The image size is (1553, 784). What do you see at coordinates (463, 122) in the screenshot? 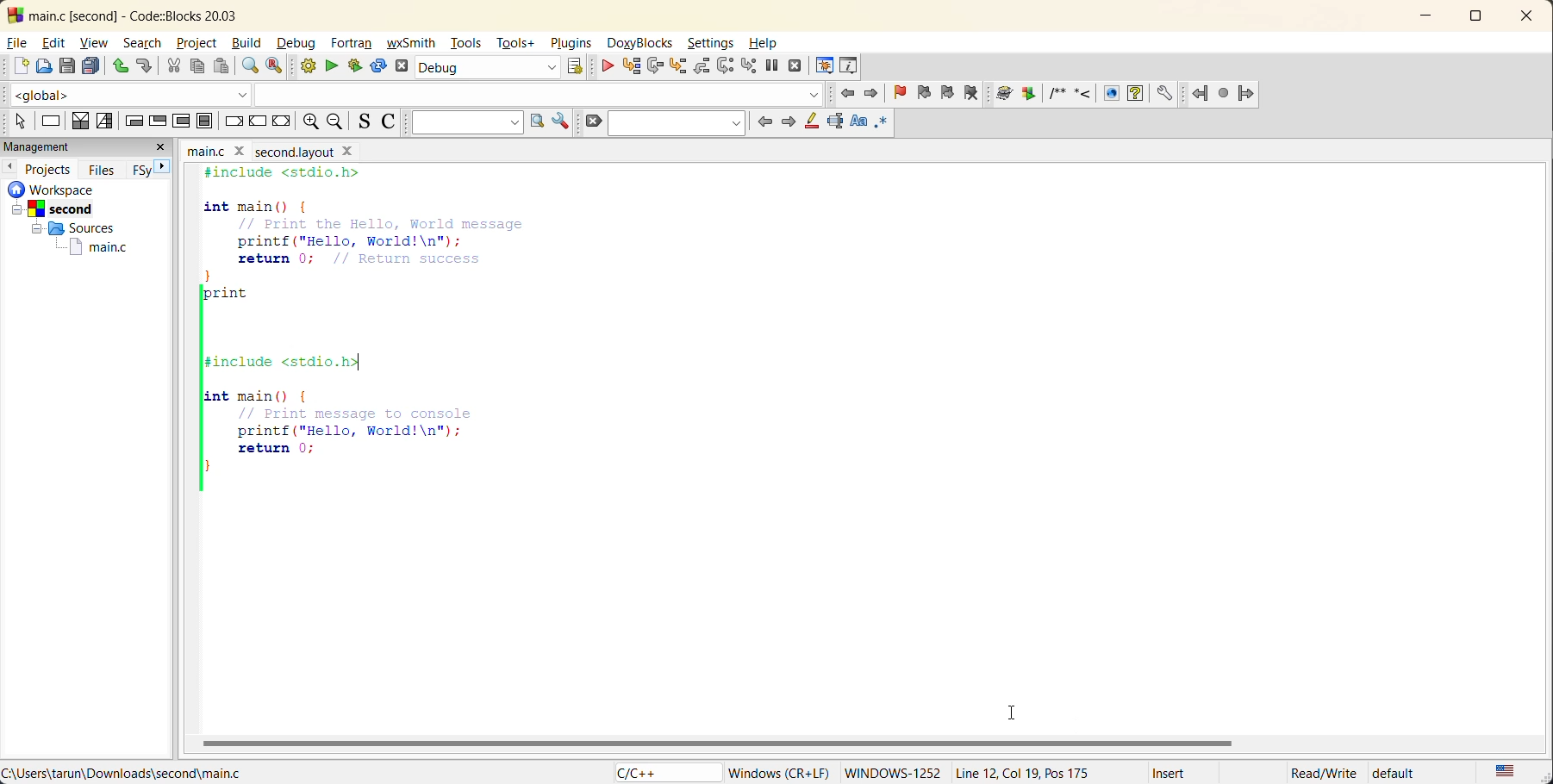
I see `text to search` at bounding box center [463, 122].